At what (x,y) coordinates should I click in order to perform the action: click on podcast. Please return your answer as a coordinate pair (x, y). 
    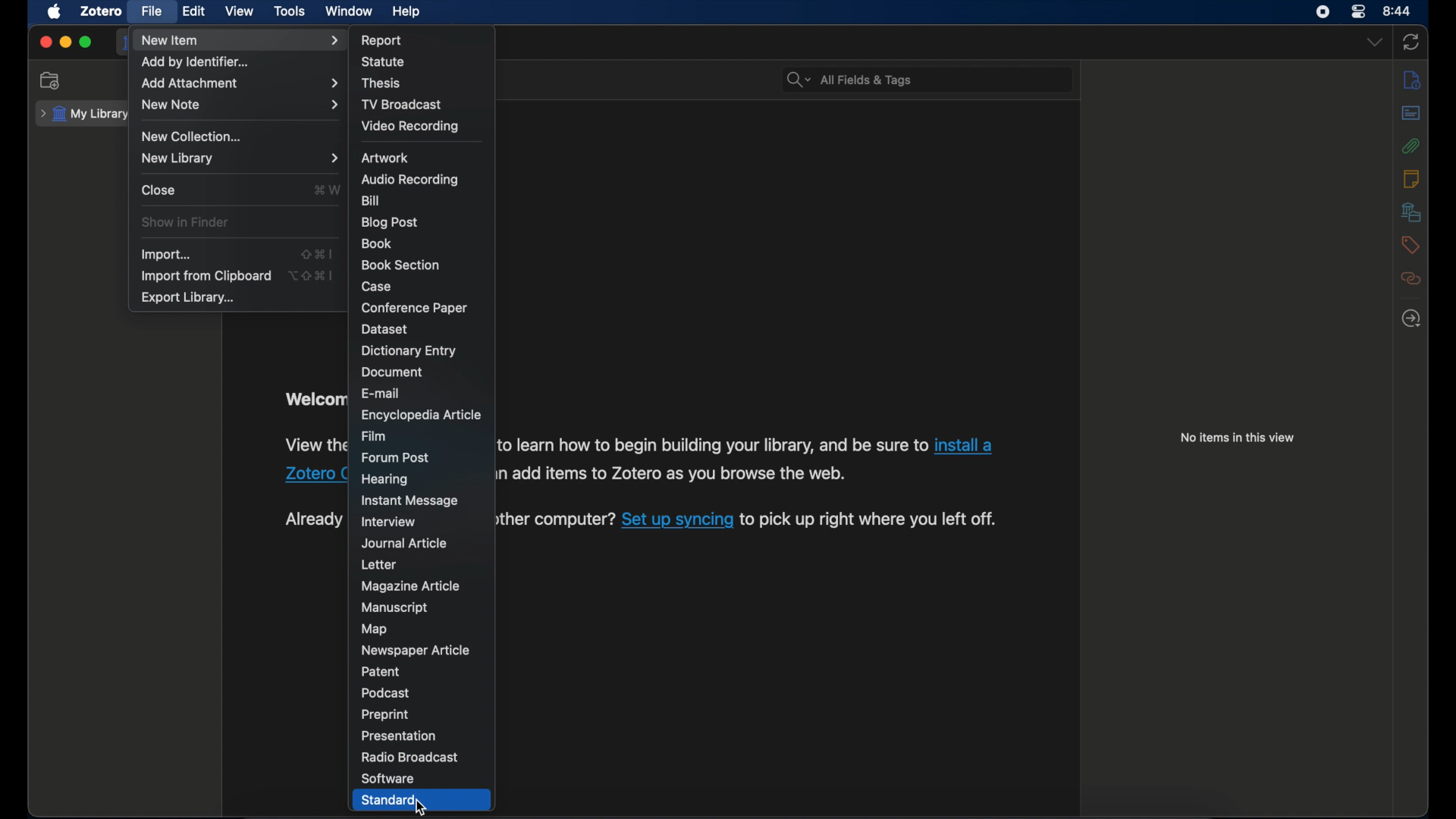
    Looking at the image, I should click on (387, 693).